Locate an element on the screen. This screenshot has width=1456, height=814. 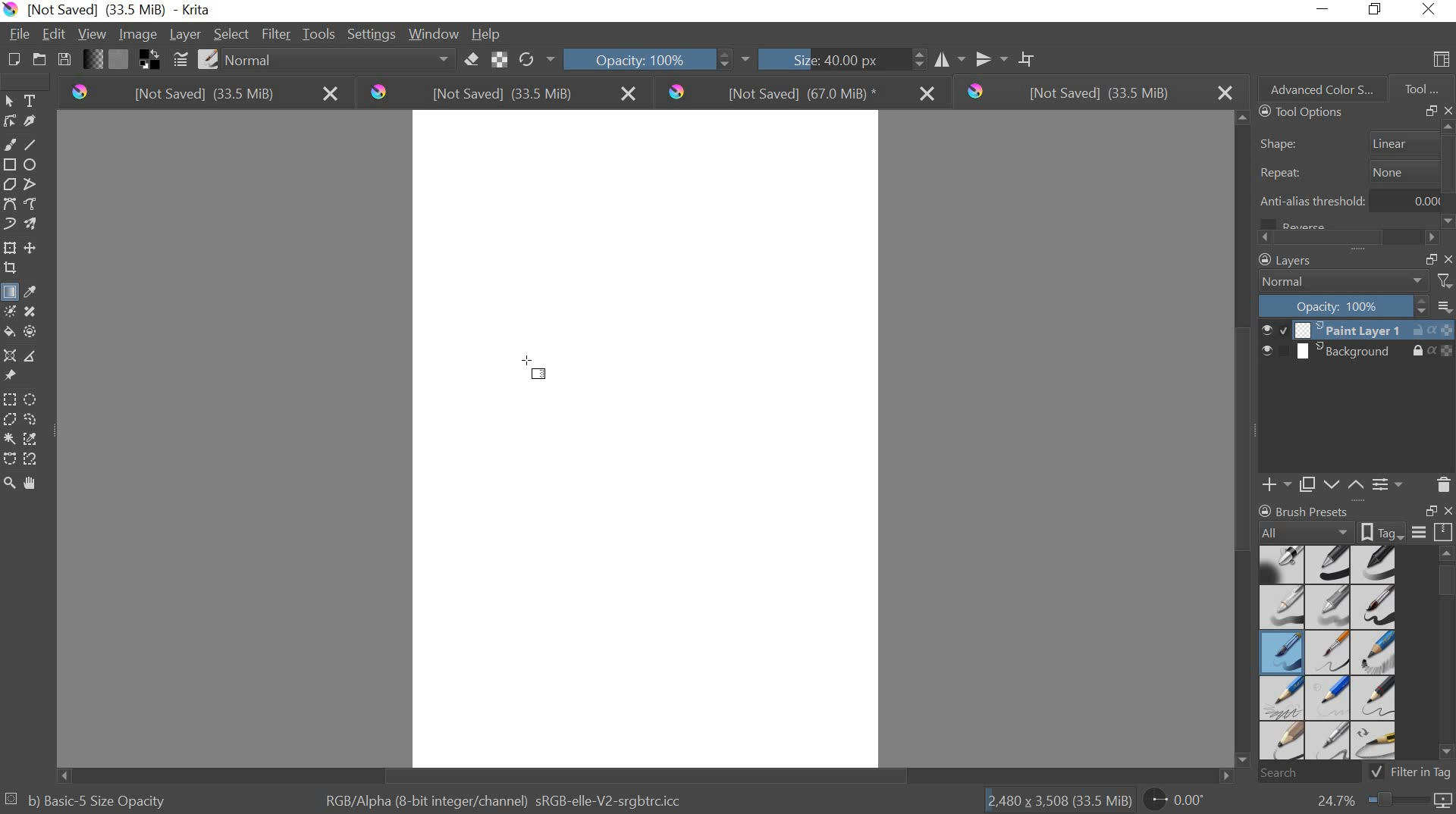
2.480 x 3.508 (33.5 mb) 0.00 is located at coordinates (1098, 797).